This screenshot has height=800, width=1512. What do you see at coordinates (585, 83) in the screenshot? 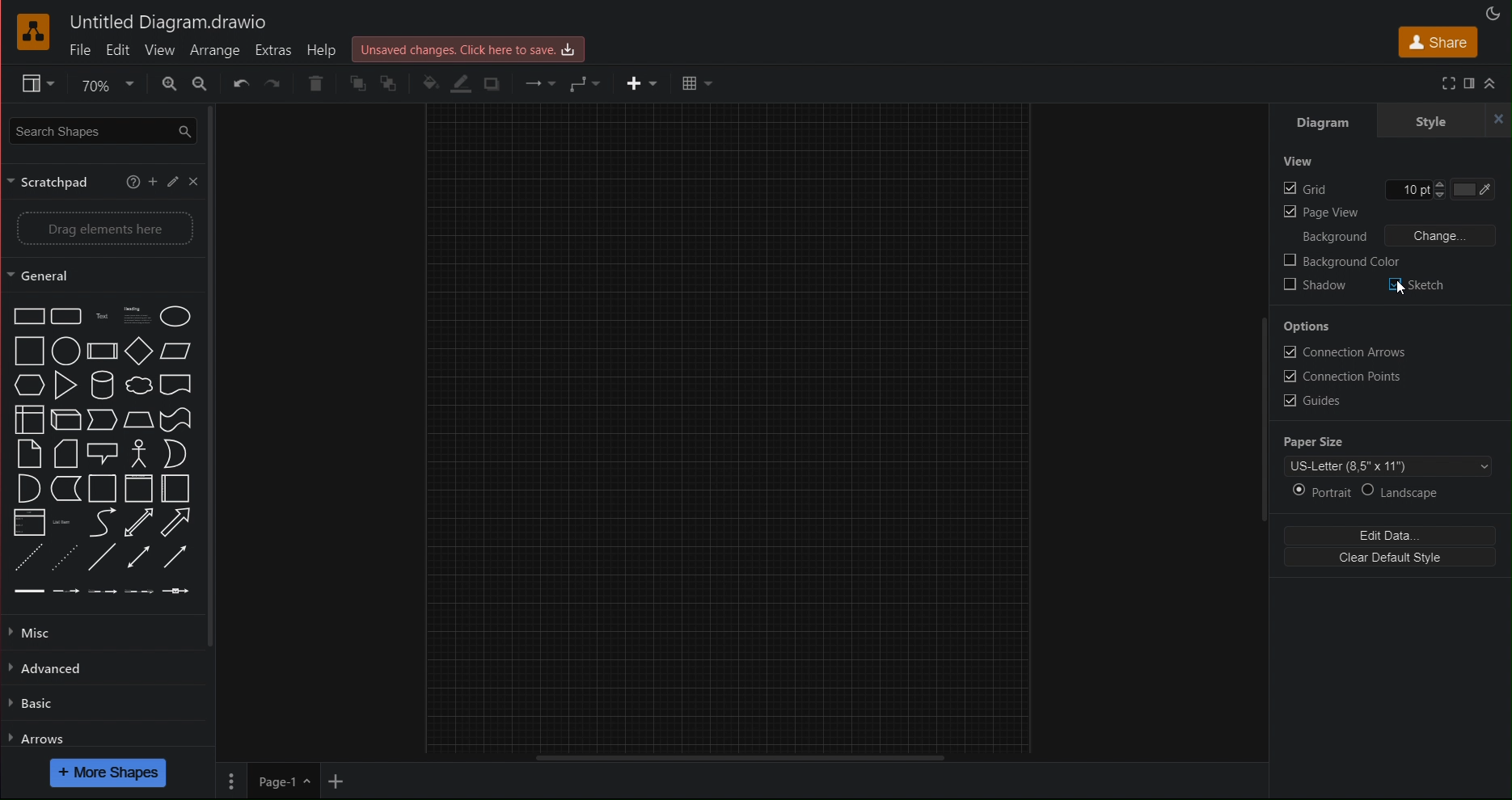
I see `Waypoint` at bounding box center [585, 83].